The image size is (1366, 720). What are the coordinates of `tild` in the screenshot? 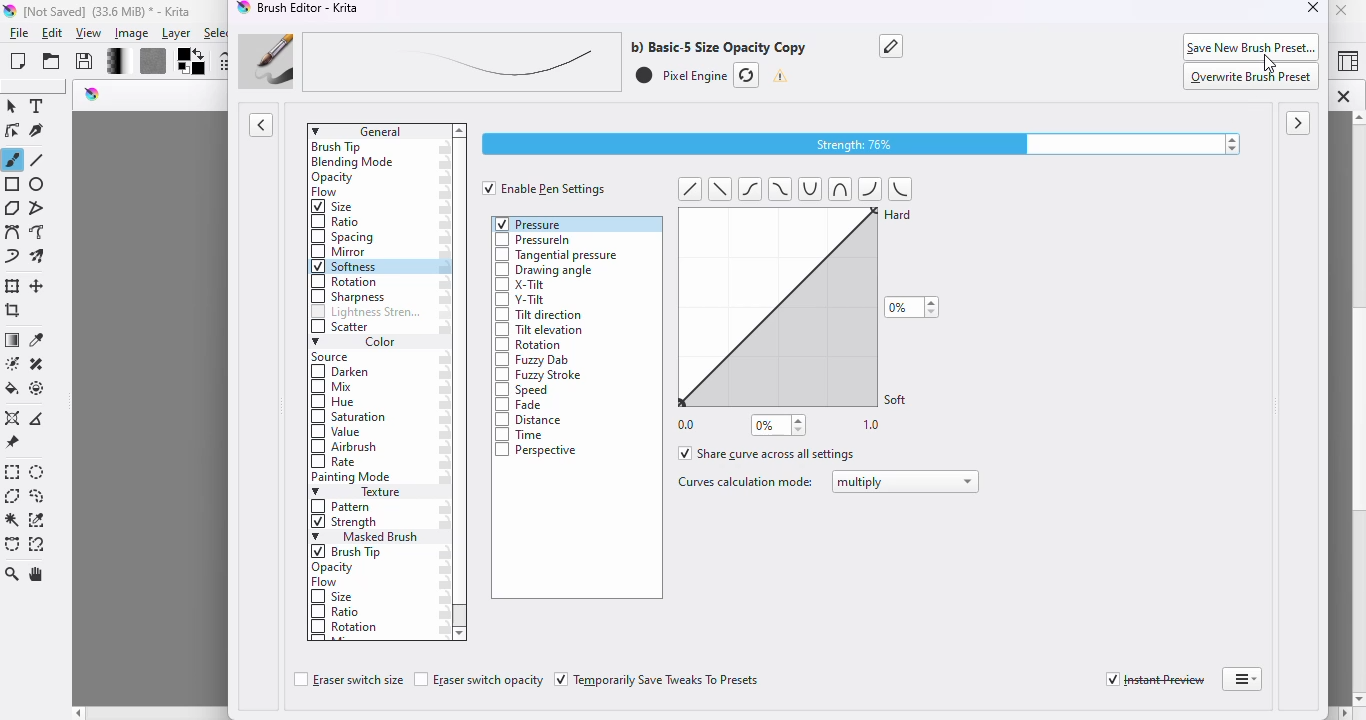 It's located at (777, 188).